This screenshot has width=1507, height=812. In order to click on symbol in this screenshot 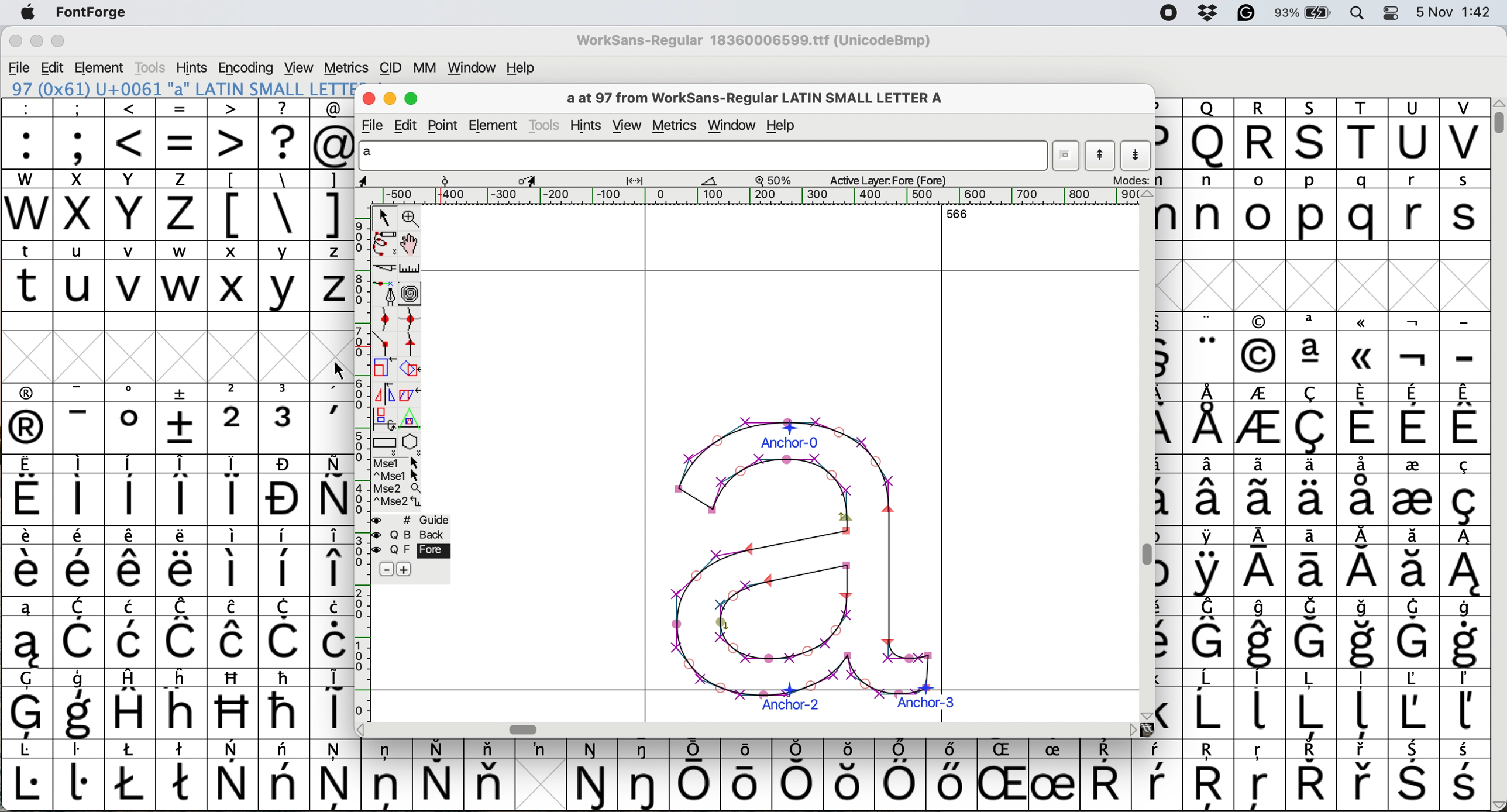, I will do `click(285, 775)`.